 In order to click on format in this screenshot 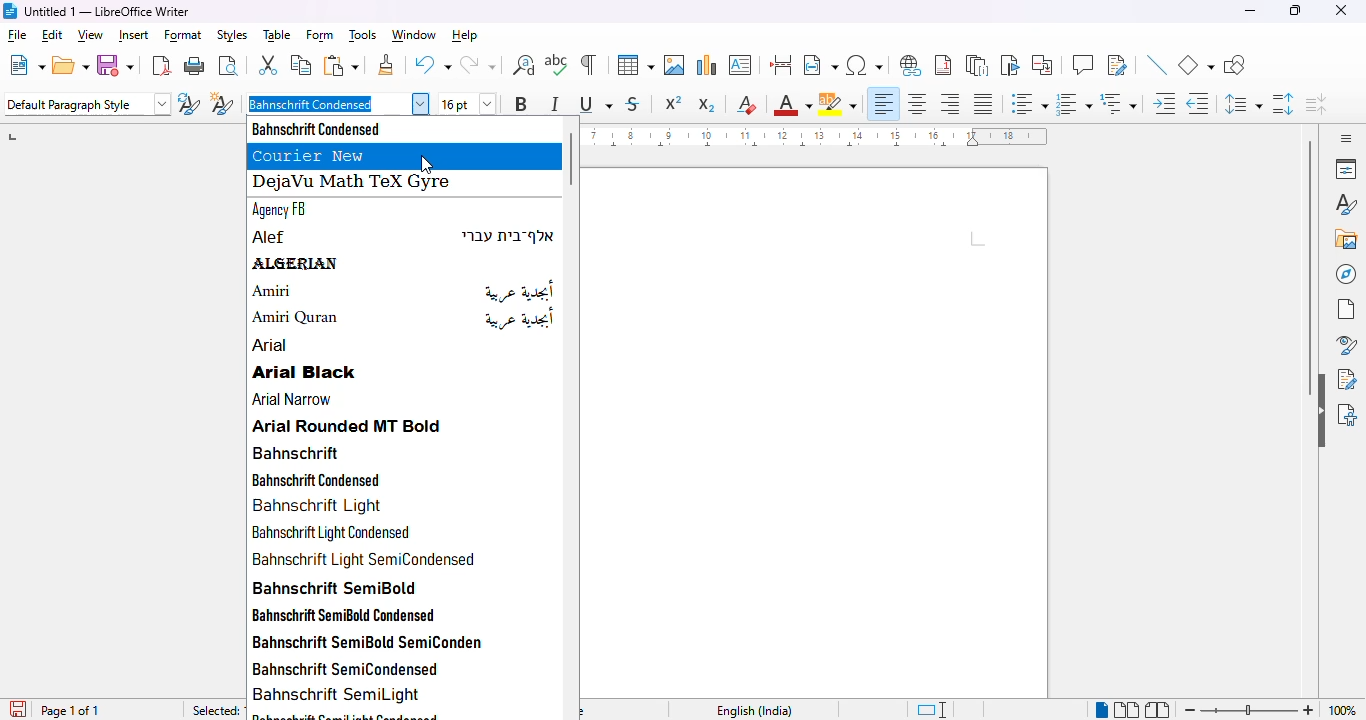, I will do `click(184, 37)`.